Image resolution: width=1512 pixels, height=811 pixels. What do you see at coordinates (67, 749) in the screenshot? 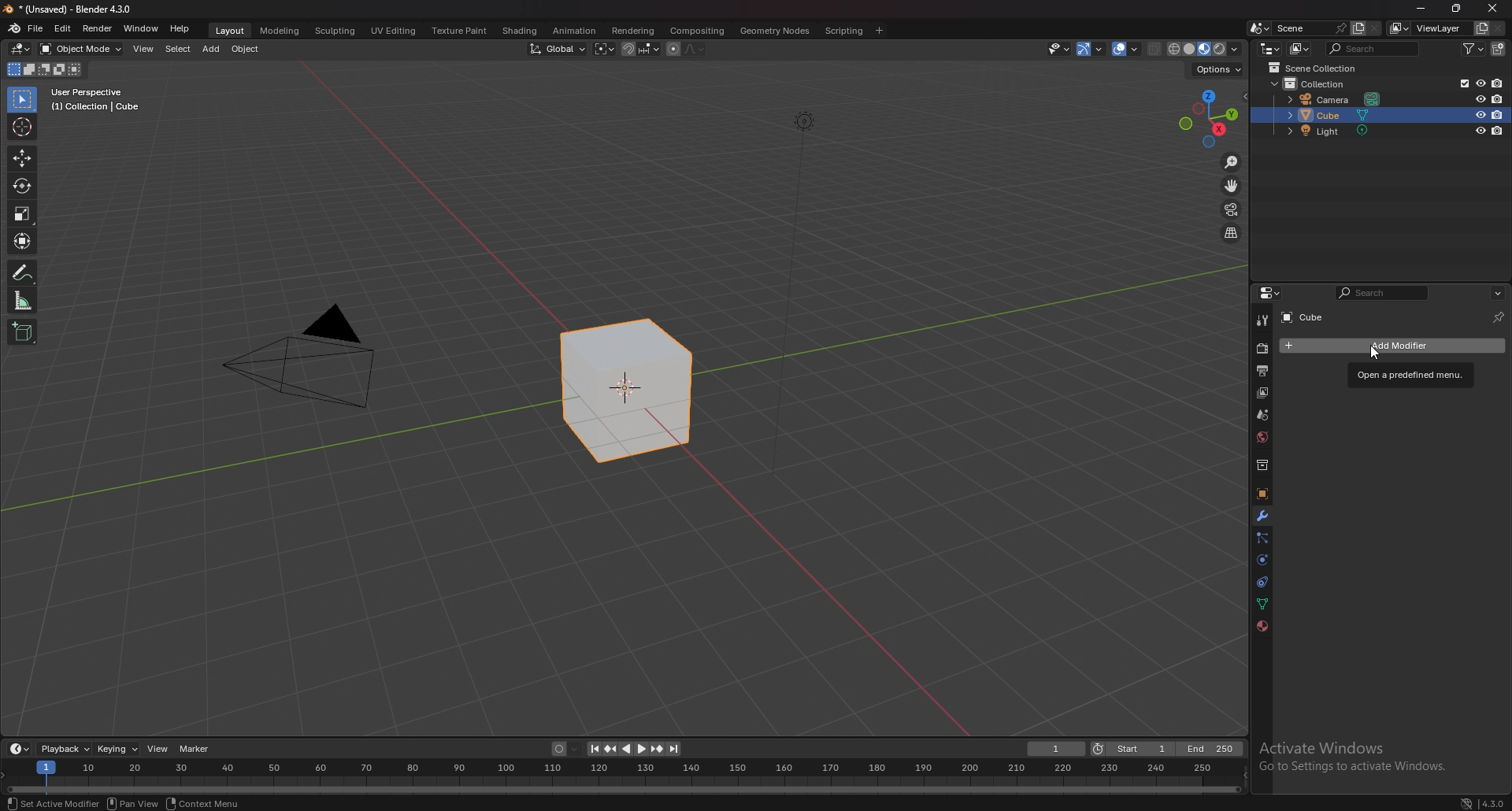
I see `playback` at bounding box center [67, 749].